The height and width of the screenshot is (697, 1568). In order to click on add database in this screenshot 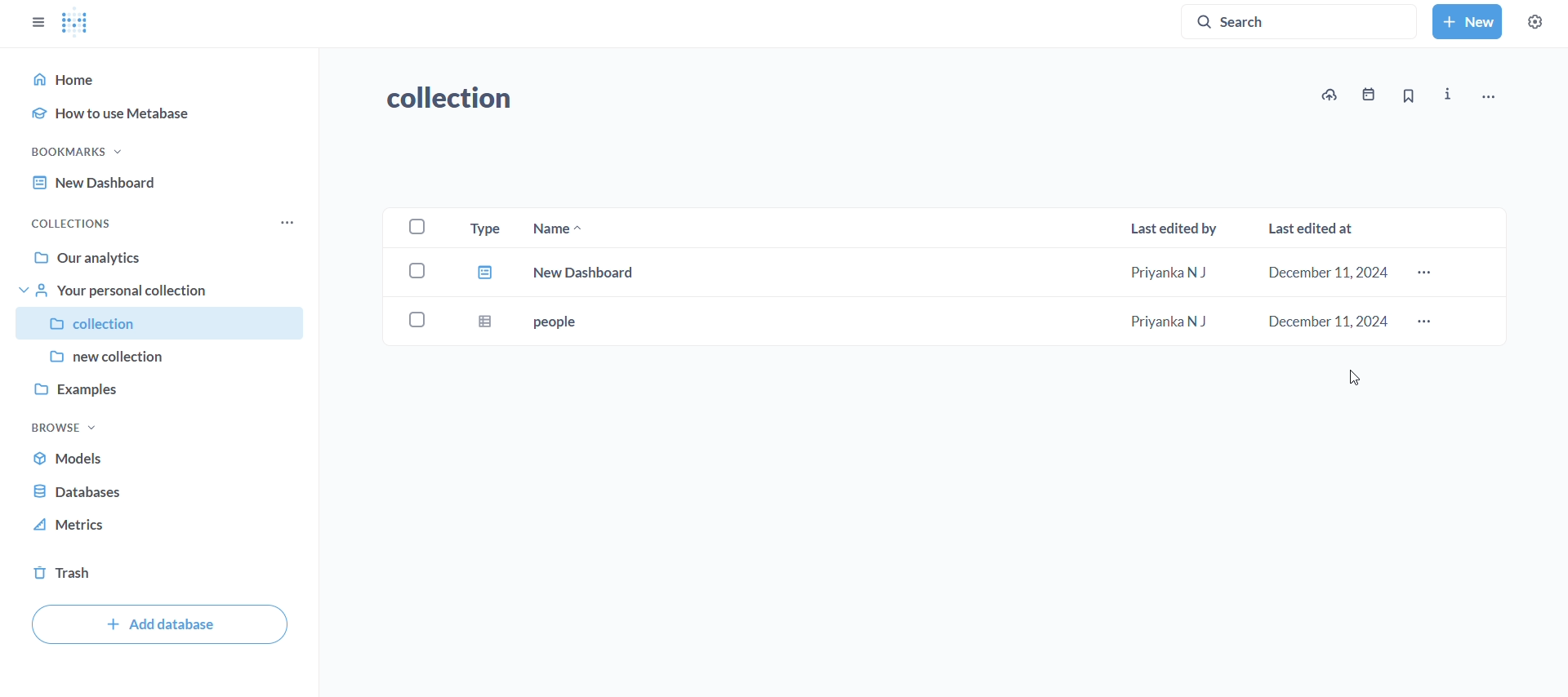, I will do `click(162, 624)`.